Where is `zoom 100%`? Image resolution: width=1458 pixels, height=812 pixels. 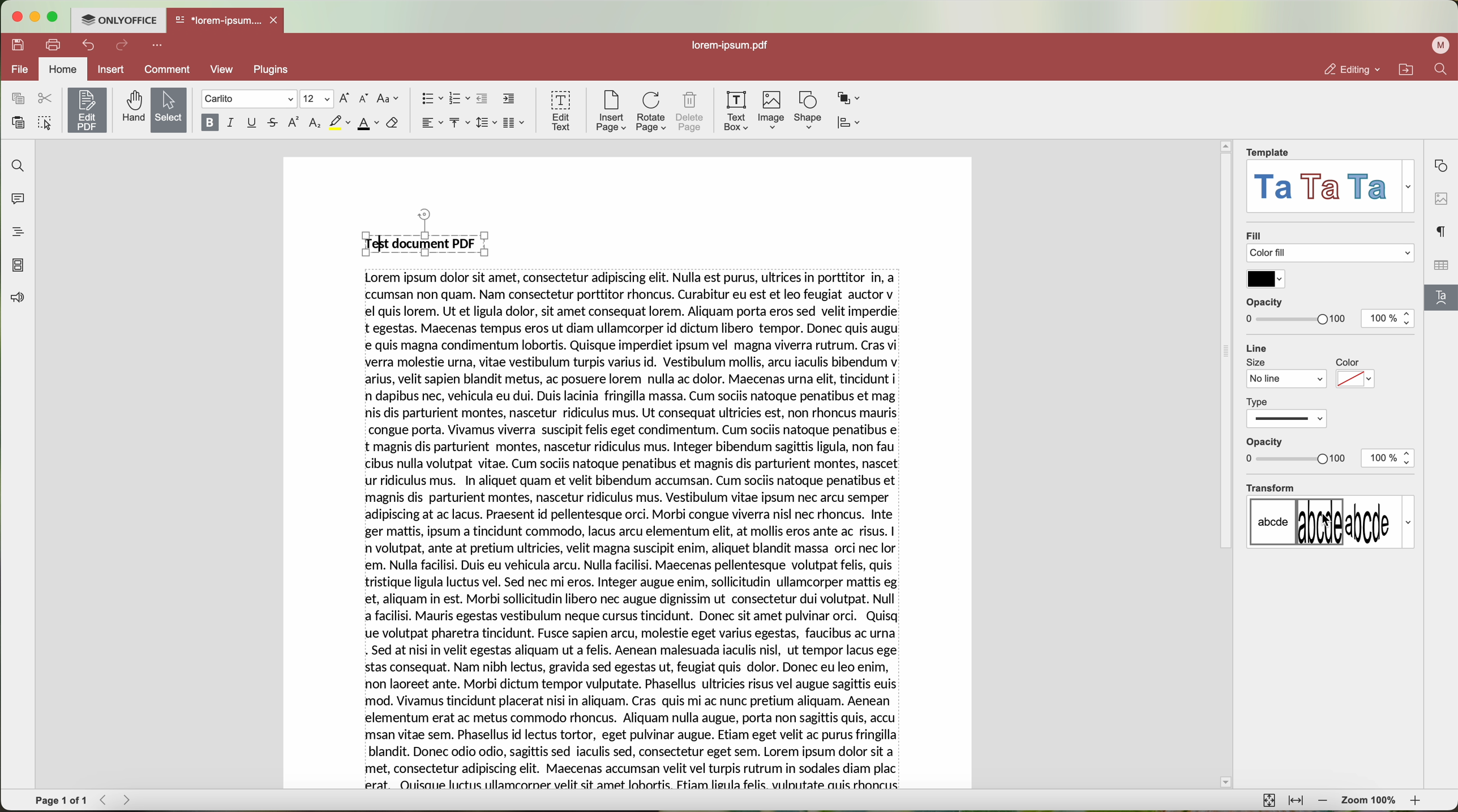 zoom 100% is located at coordinates (1370, 801).